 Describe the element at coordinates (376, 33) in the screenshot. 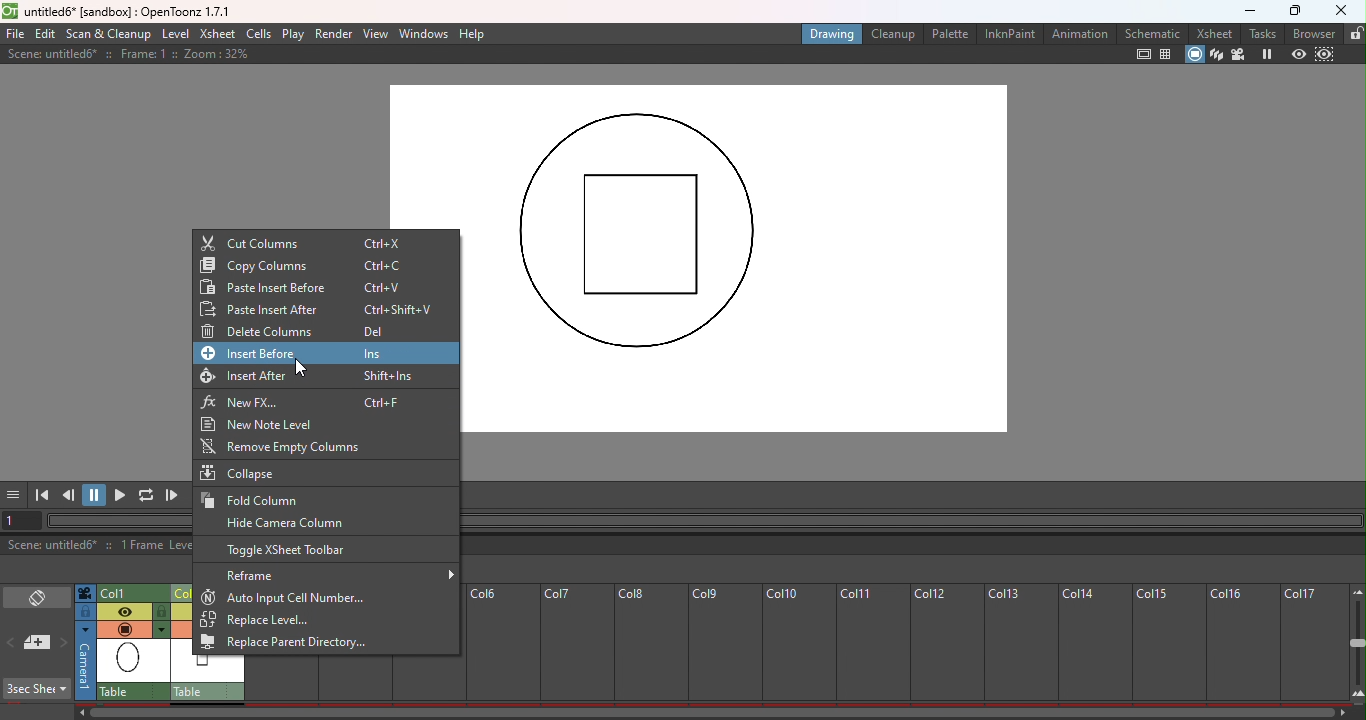

I see `View` at that location.